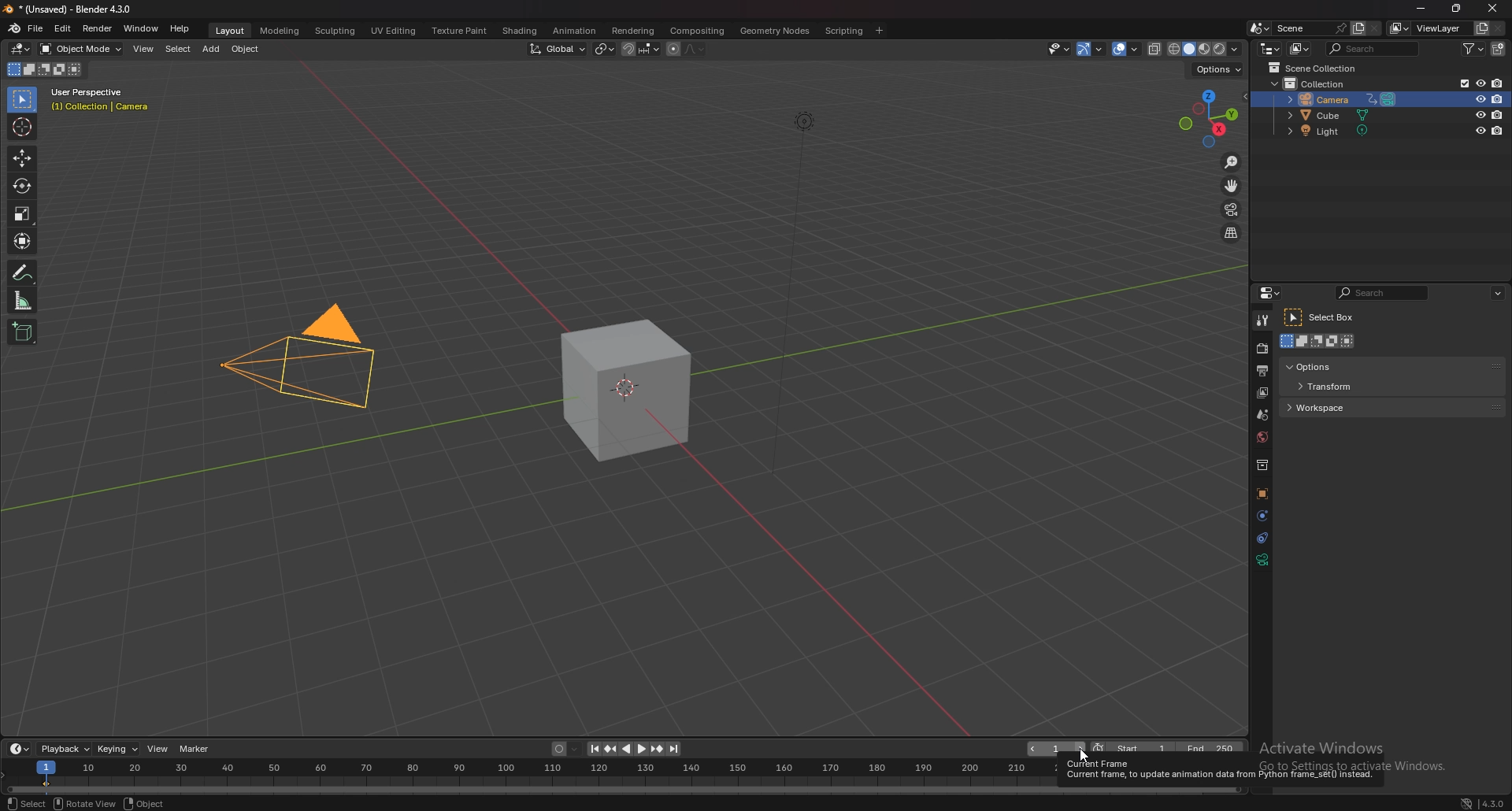 The height and width of the screenshot is (811, 1512). I want to click on compositing, so click(698, 31).